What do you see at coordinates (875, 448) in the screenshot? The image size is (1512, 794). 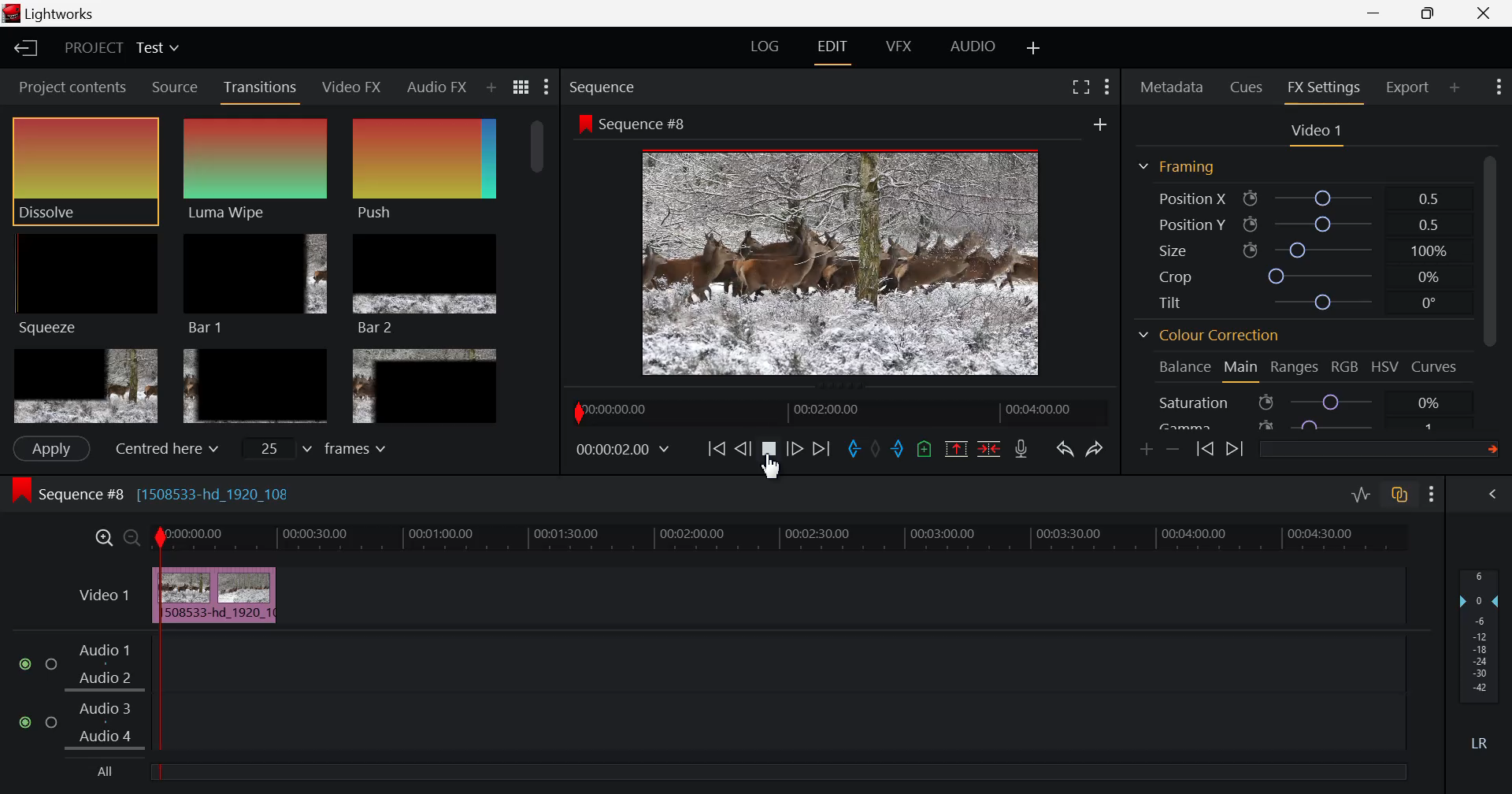 I see `Remove all marks` at bounding box center [875, 448].